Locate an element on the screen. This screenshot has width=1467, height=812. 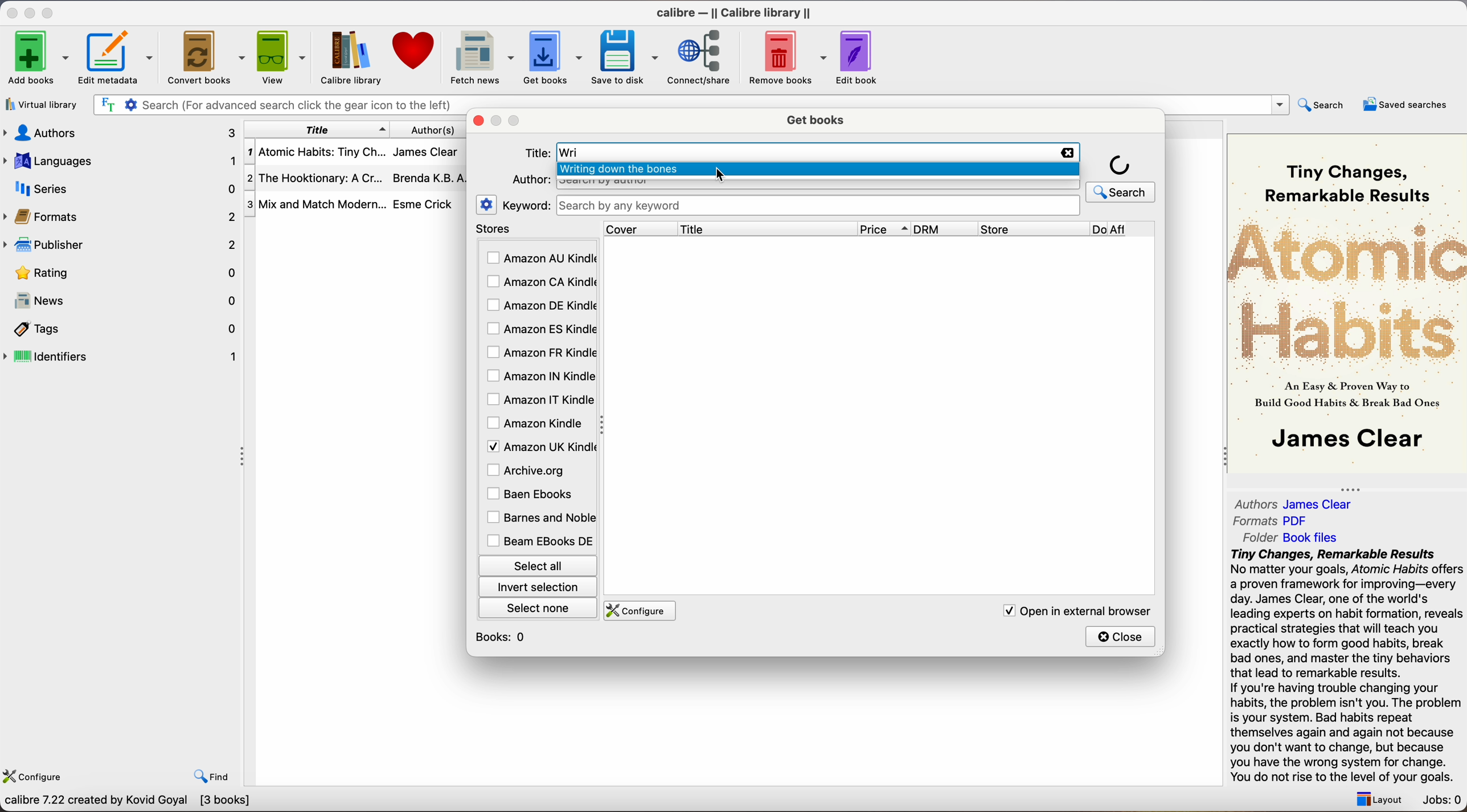
baen ebooks is located at coordinates (532, 495).